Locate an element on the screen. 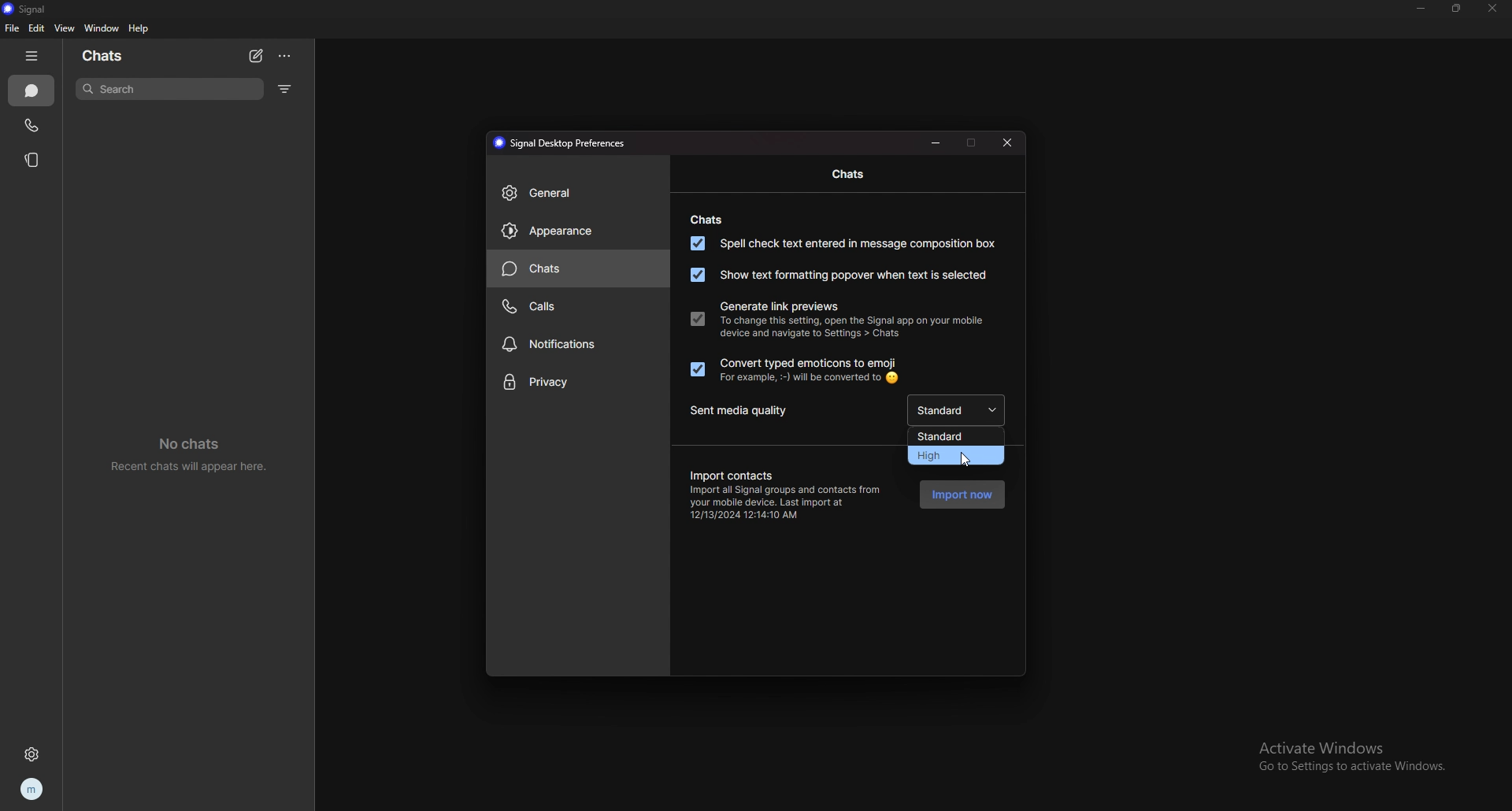 This screenshot has height=811, width=1512. signal desktop preferences is located at coordinates (562, 142).